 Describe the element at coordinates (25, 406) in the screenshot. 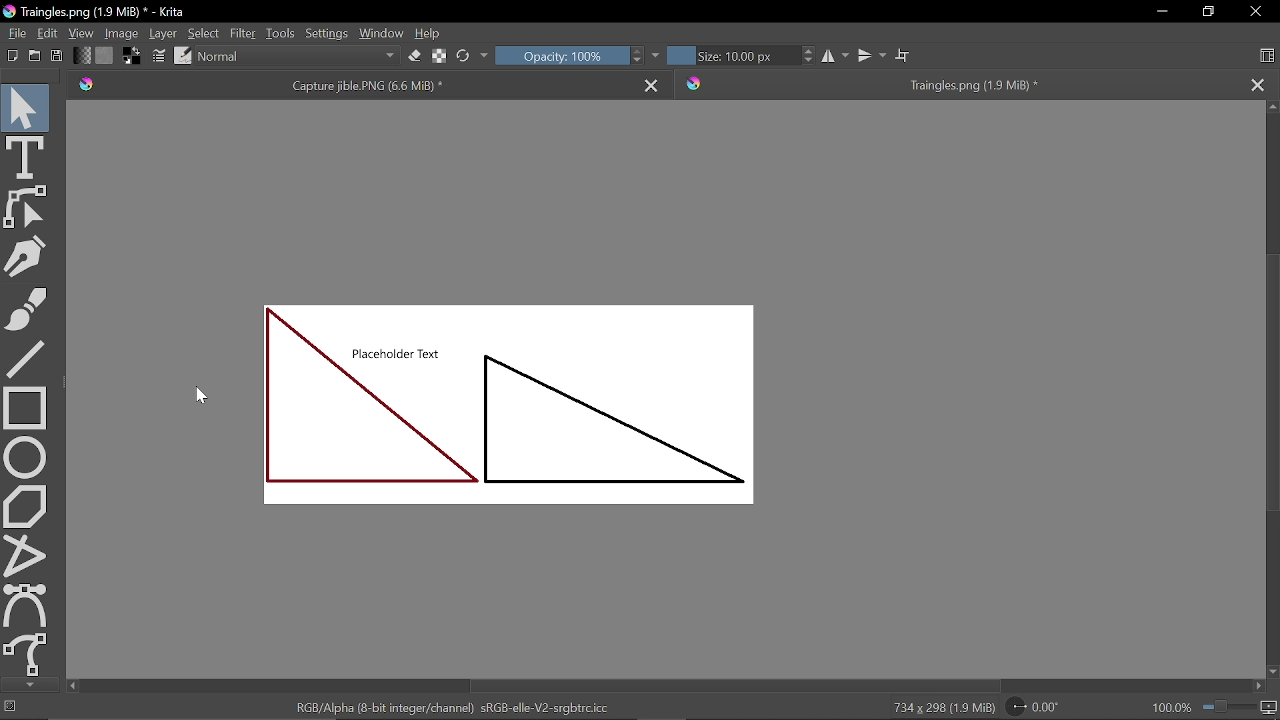

I see `Rectangle tool` at that location.